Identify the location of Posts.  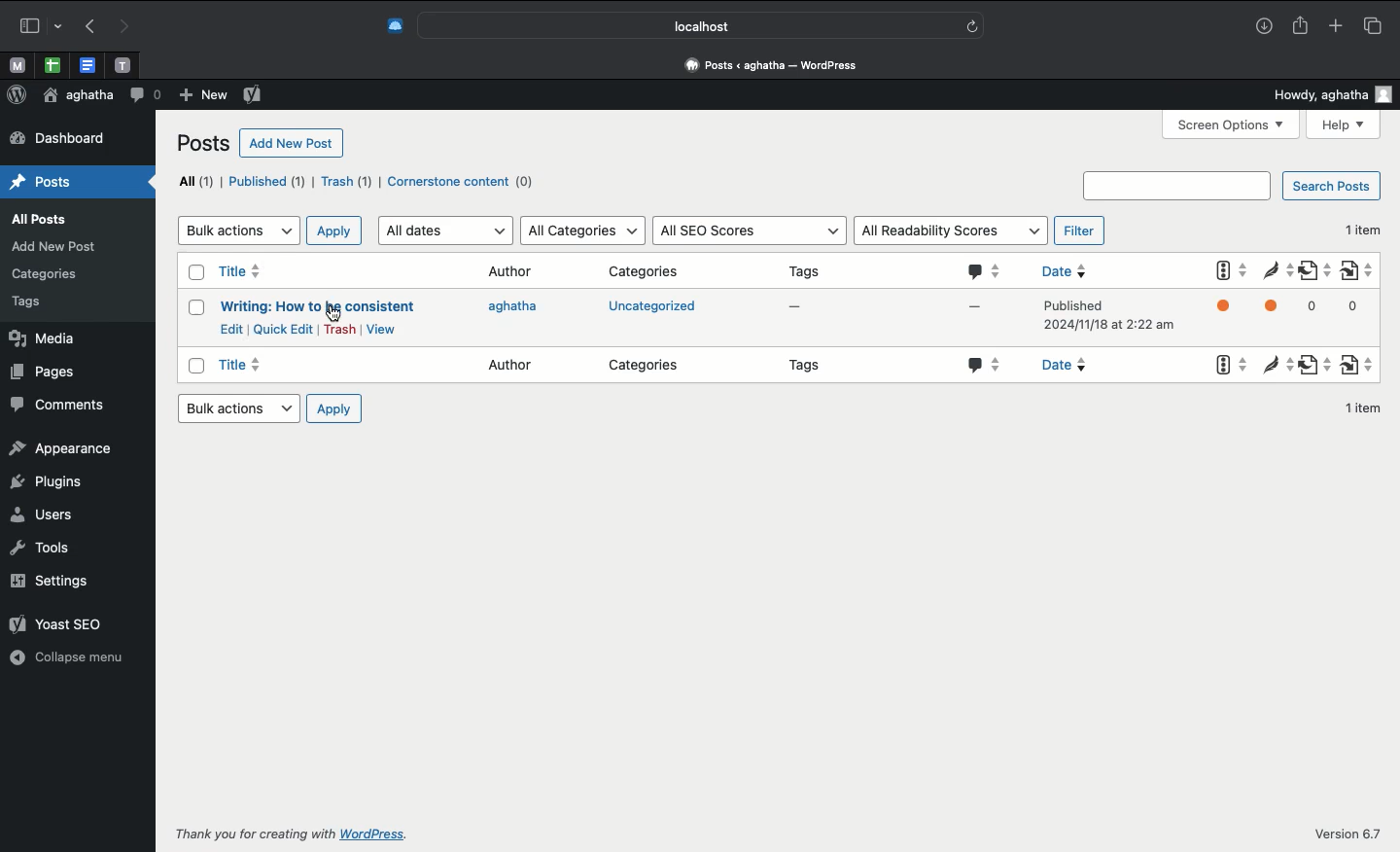
(203, 143).